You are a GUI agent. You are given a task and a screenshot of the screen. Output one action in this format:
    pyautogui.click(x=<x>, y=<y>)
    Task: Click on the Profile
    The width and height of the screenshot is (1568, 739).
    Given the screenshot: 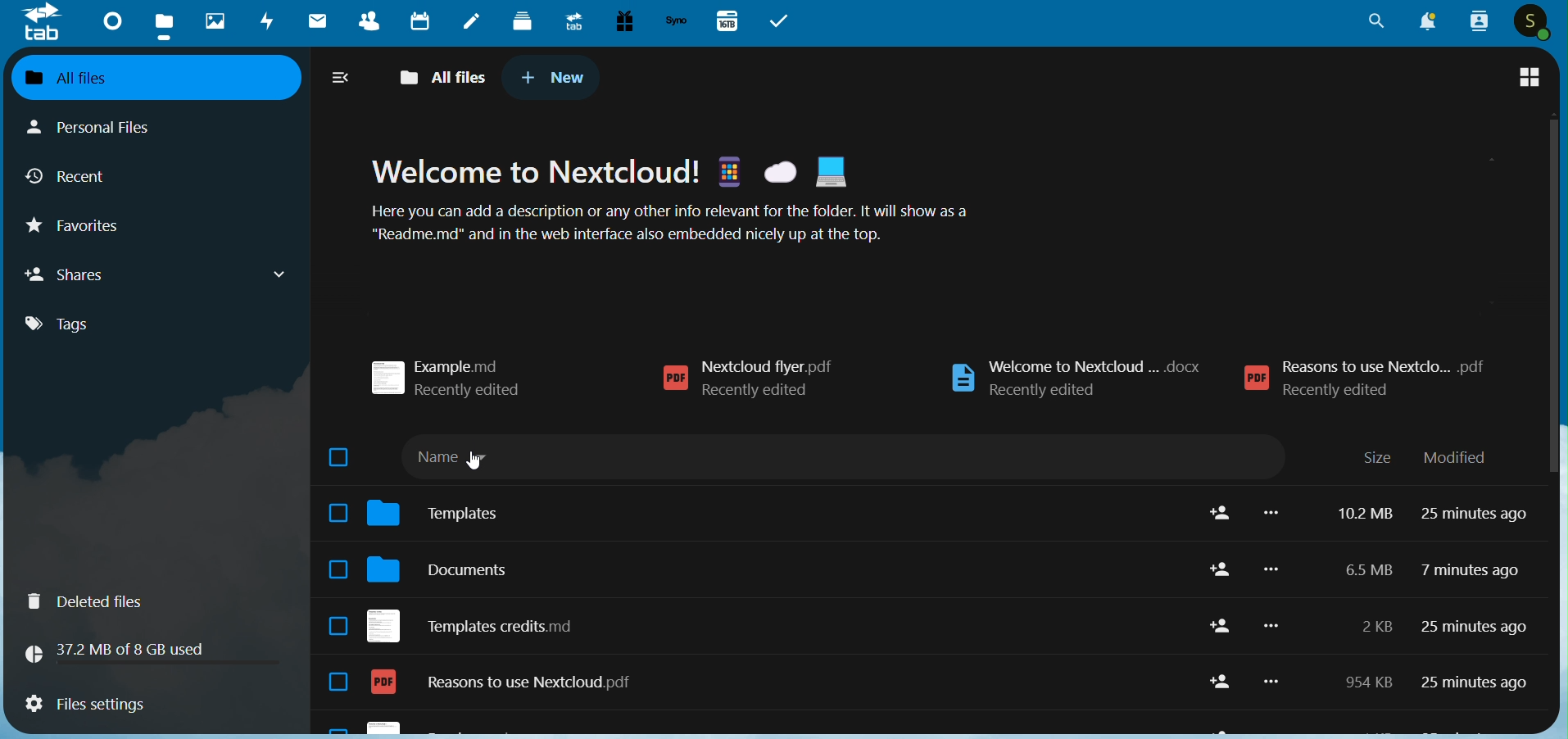 What is the action you would take?
    pyautogui.click(x=1537, y=22)
    